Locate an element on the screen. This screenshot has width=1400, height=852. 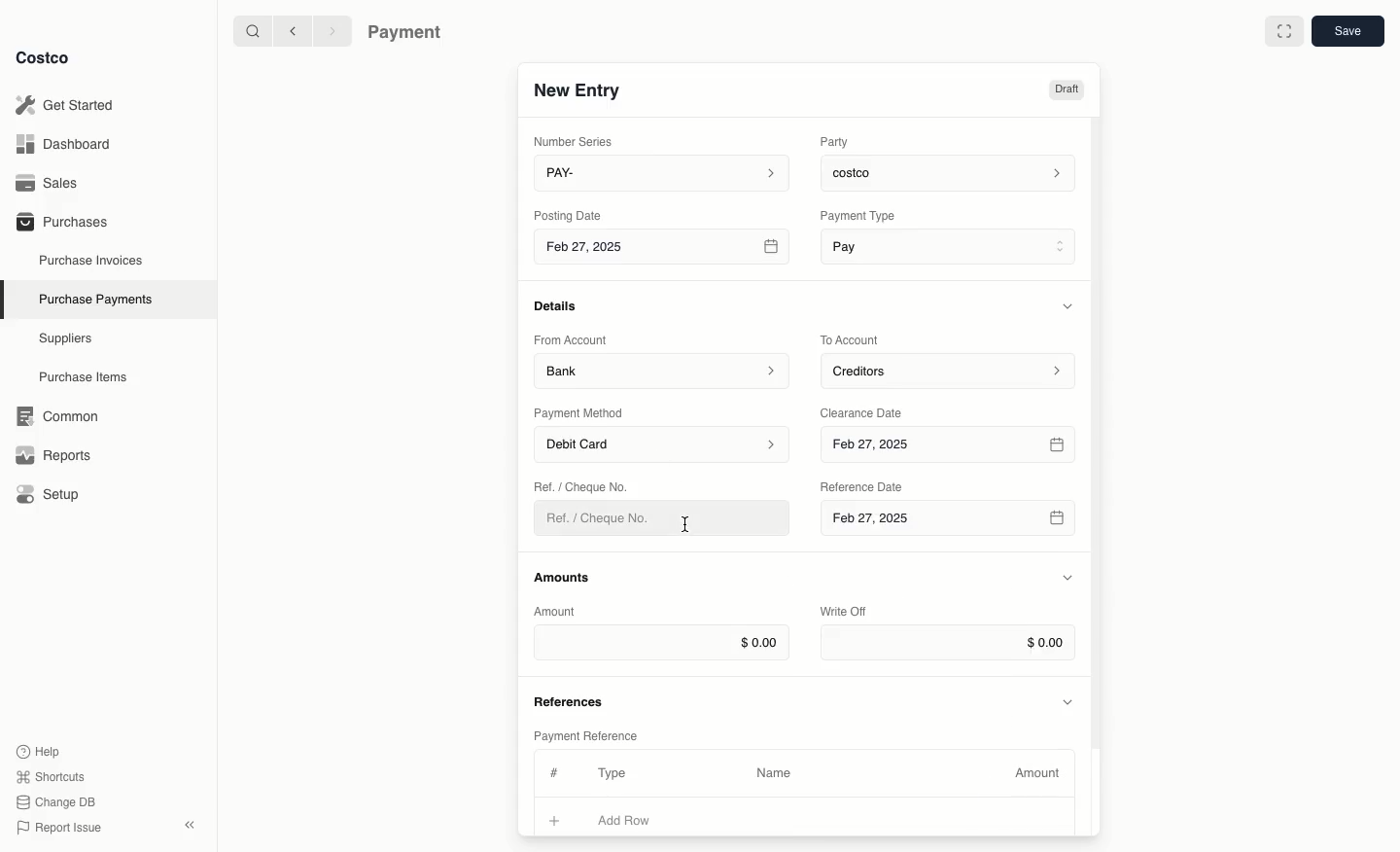
Search is located at coordinates (252, 29).